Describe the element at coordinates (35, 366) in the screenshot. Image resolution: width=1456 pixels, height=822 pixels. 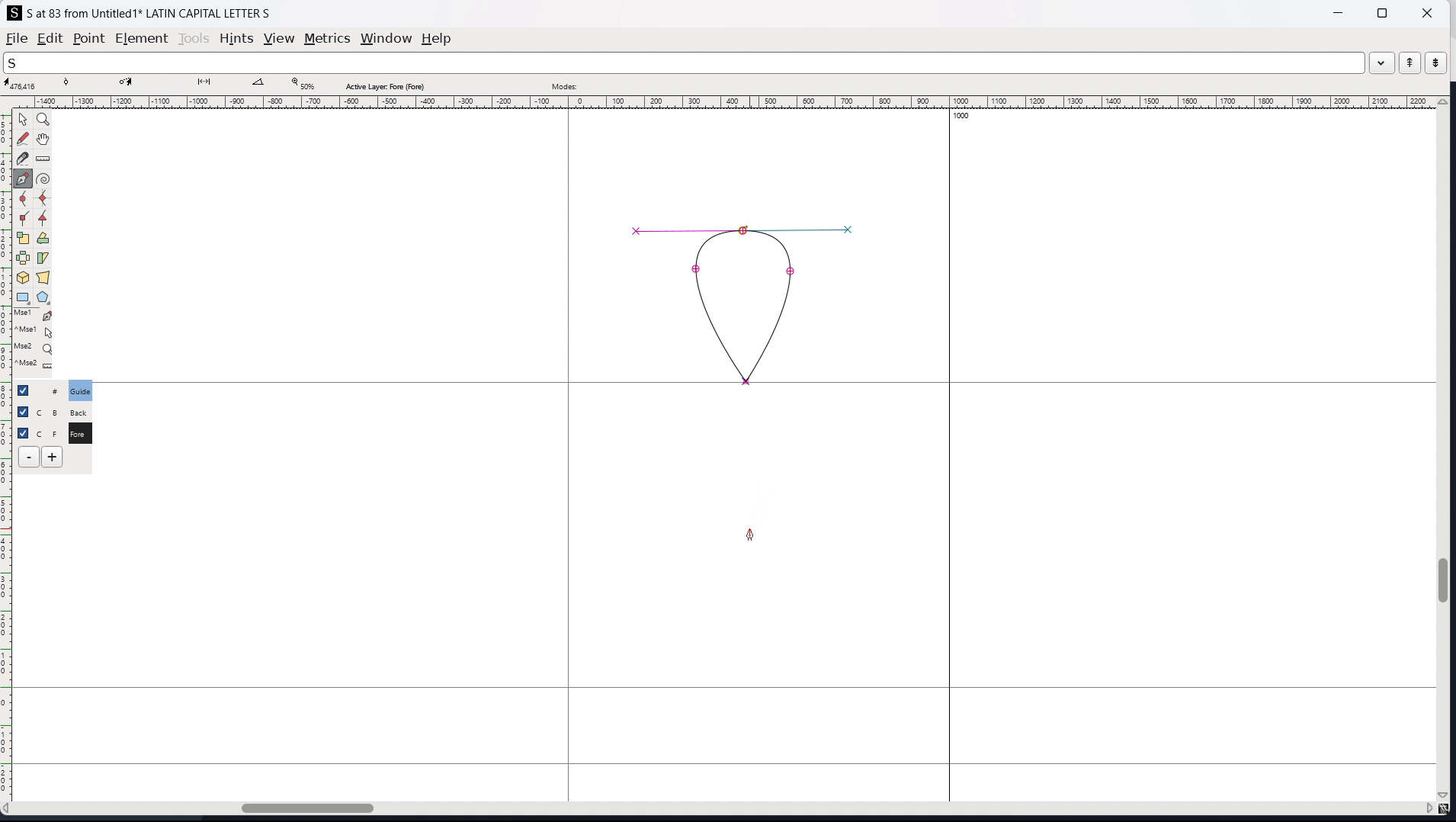
I see `^Mse2` at that location.